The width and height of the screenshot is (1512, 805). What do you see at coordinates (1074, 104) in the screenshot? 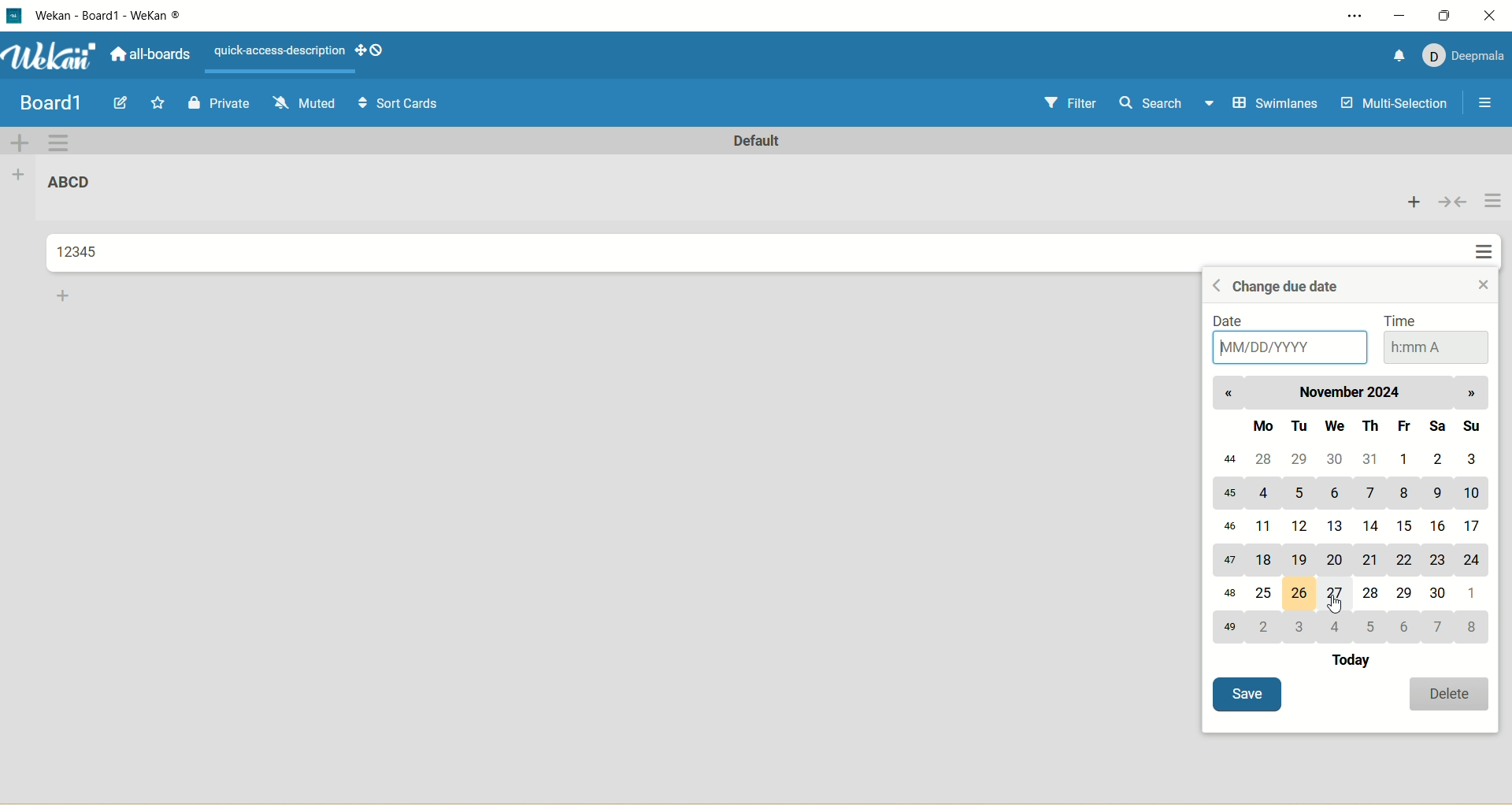
I see `filter` at bounding box center [1074, 104].